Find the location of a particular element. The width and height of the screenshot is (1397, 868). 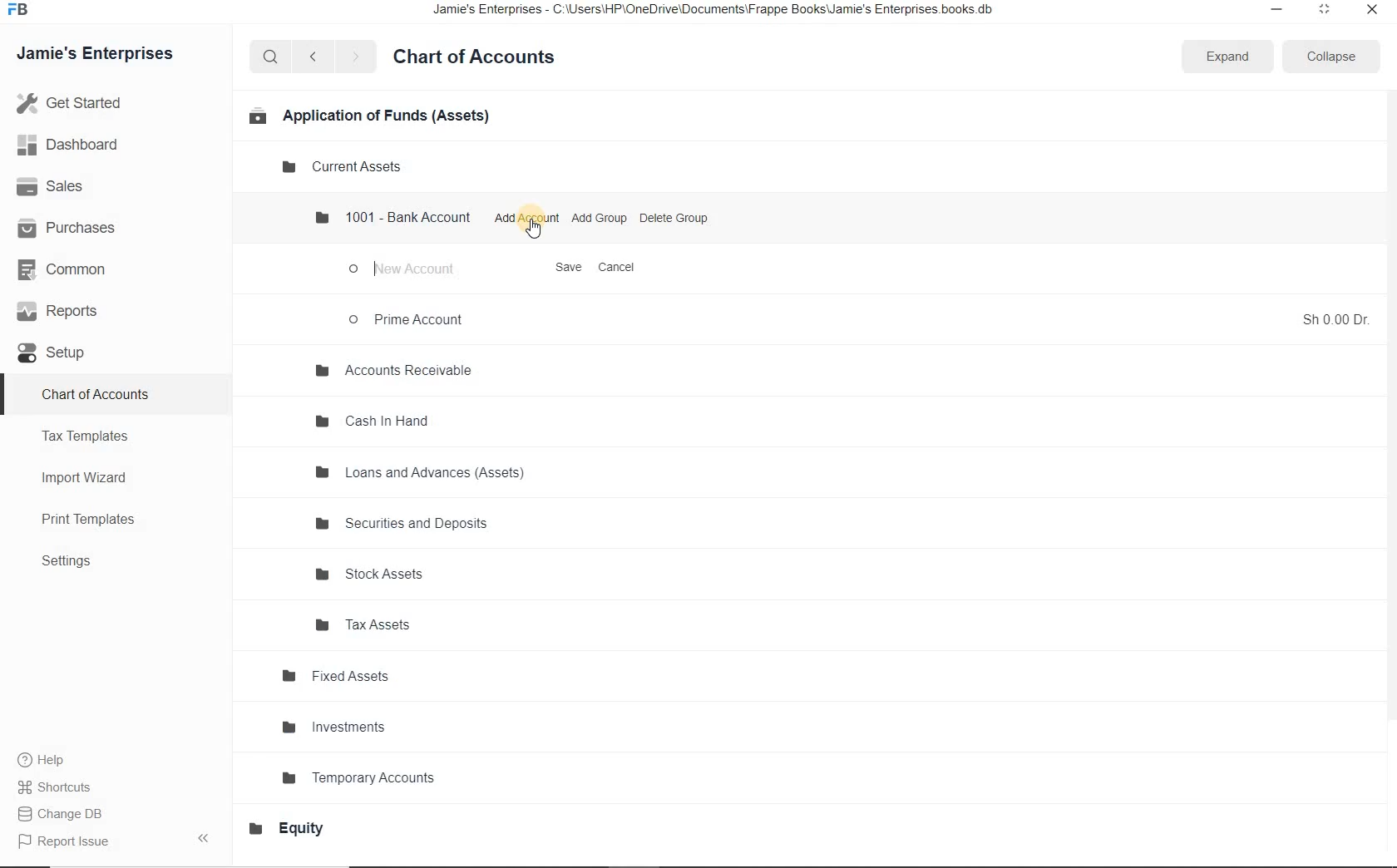

 Current Assets is located at coordinates (345, 167).